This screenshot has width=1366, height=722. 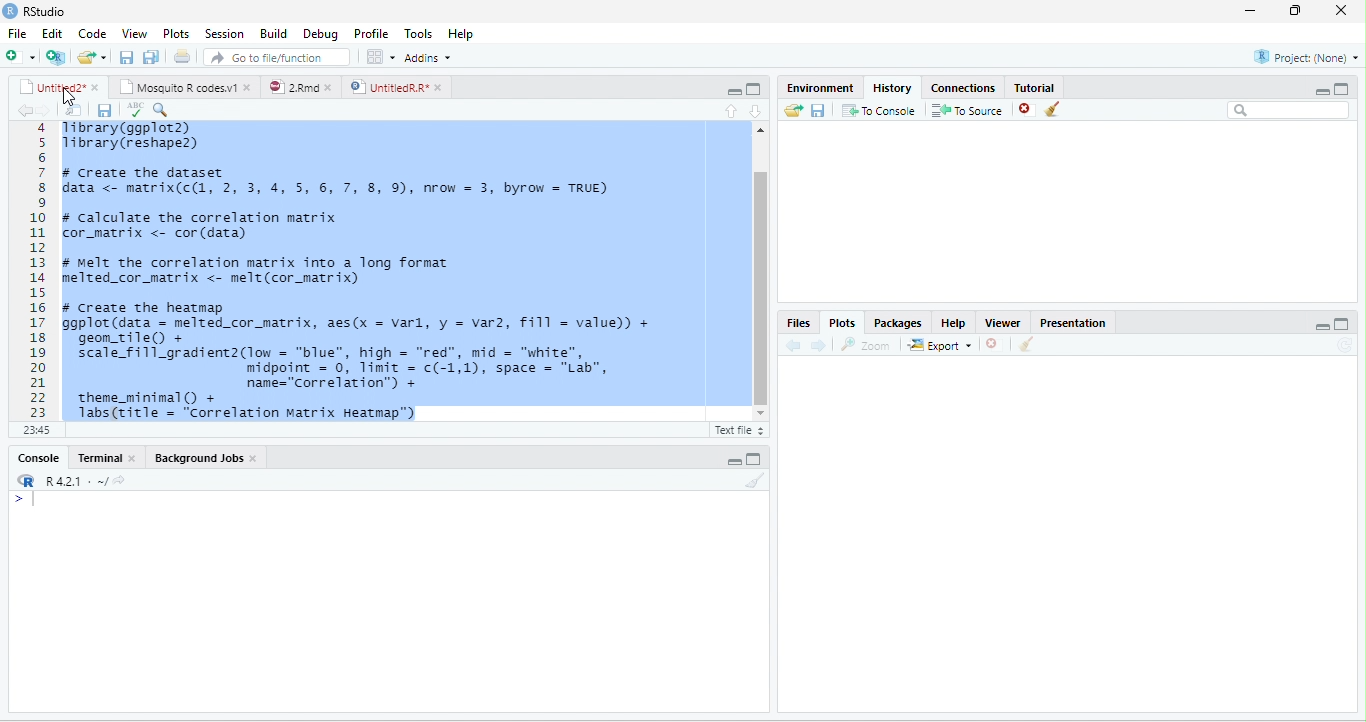 I want to click on Files Plots Packages Help Viewer Presentation =0
A zoom | Mew - [0 |, so click(x=358, y=270).